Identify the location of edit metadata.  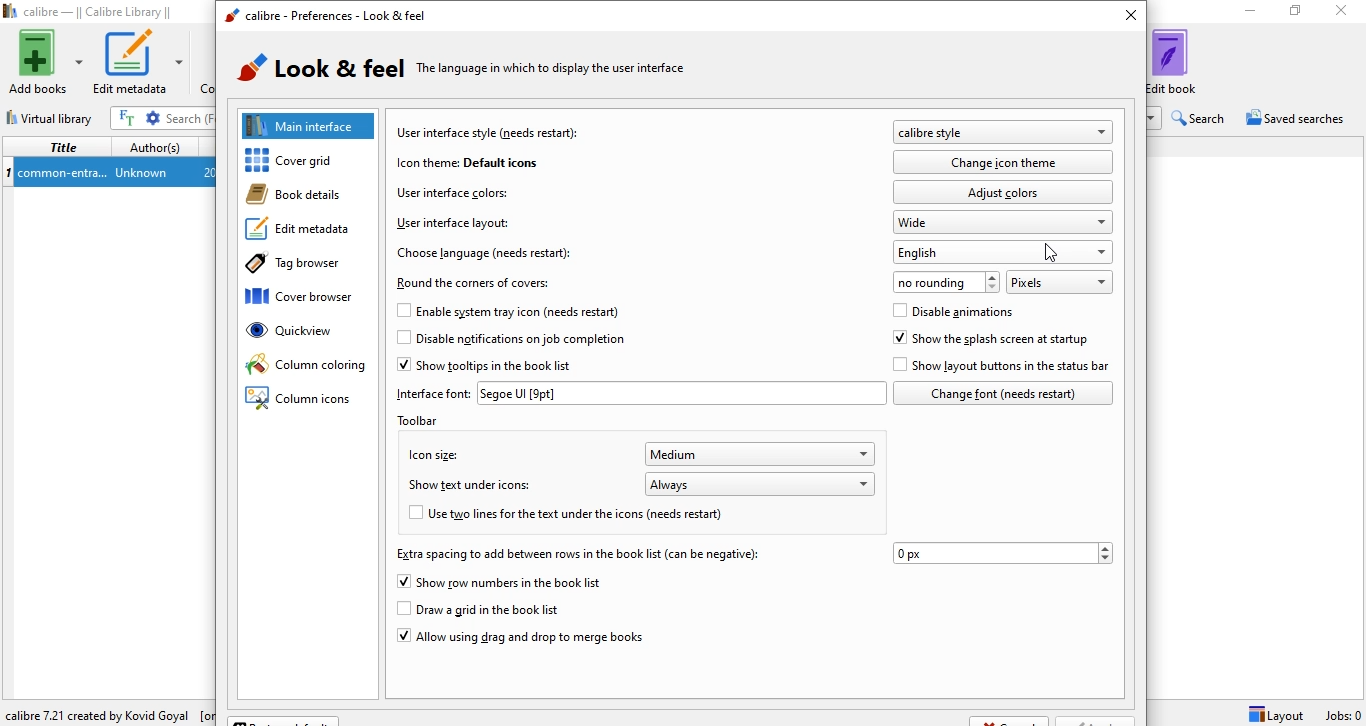
(304, 232).